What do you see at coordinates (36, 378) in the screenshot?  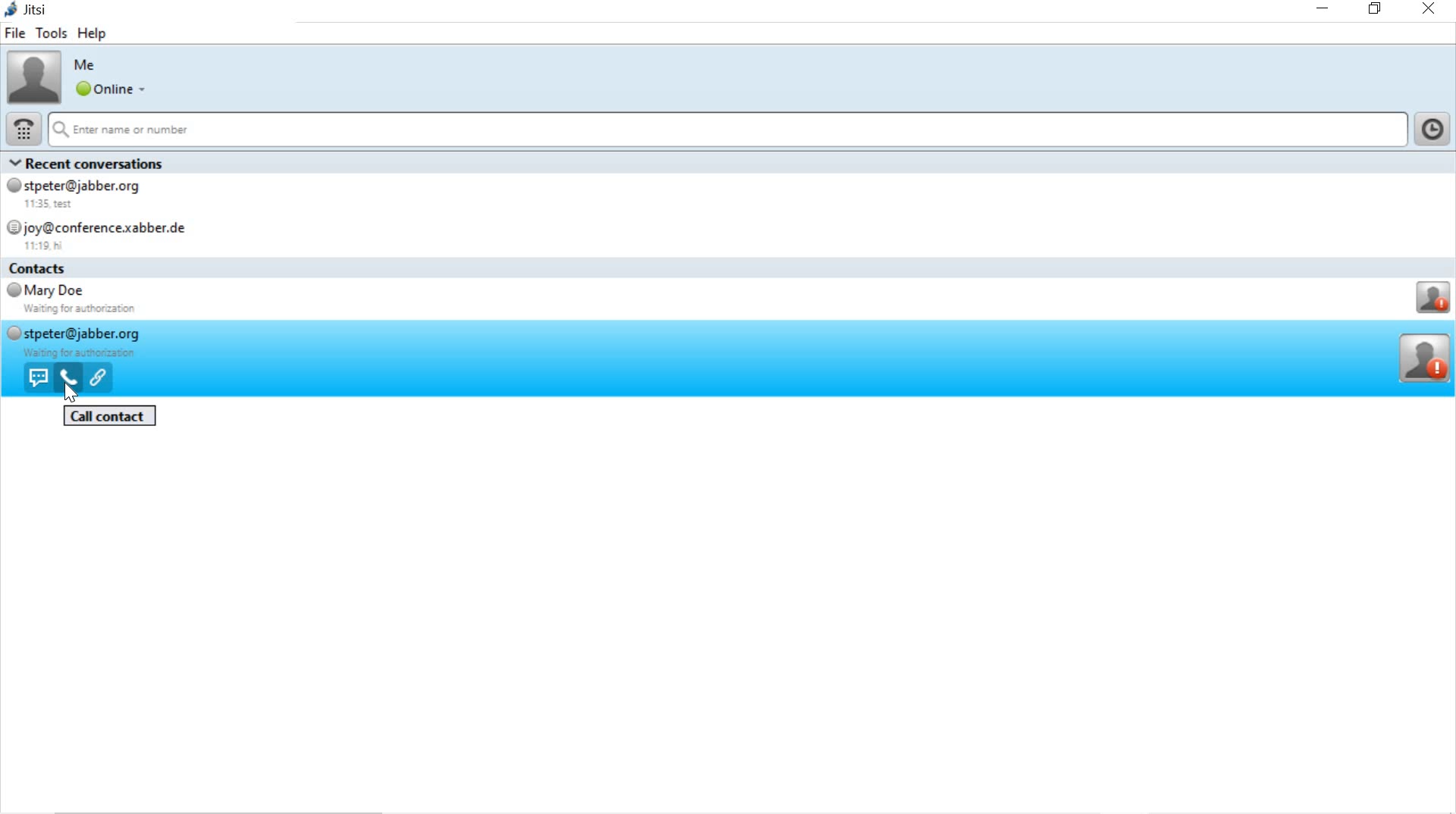 I see `send message` at bounding box center [36, 378].